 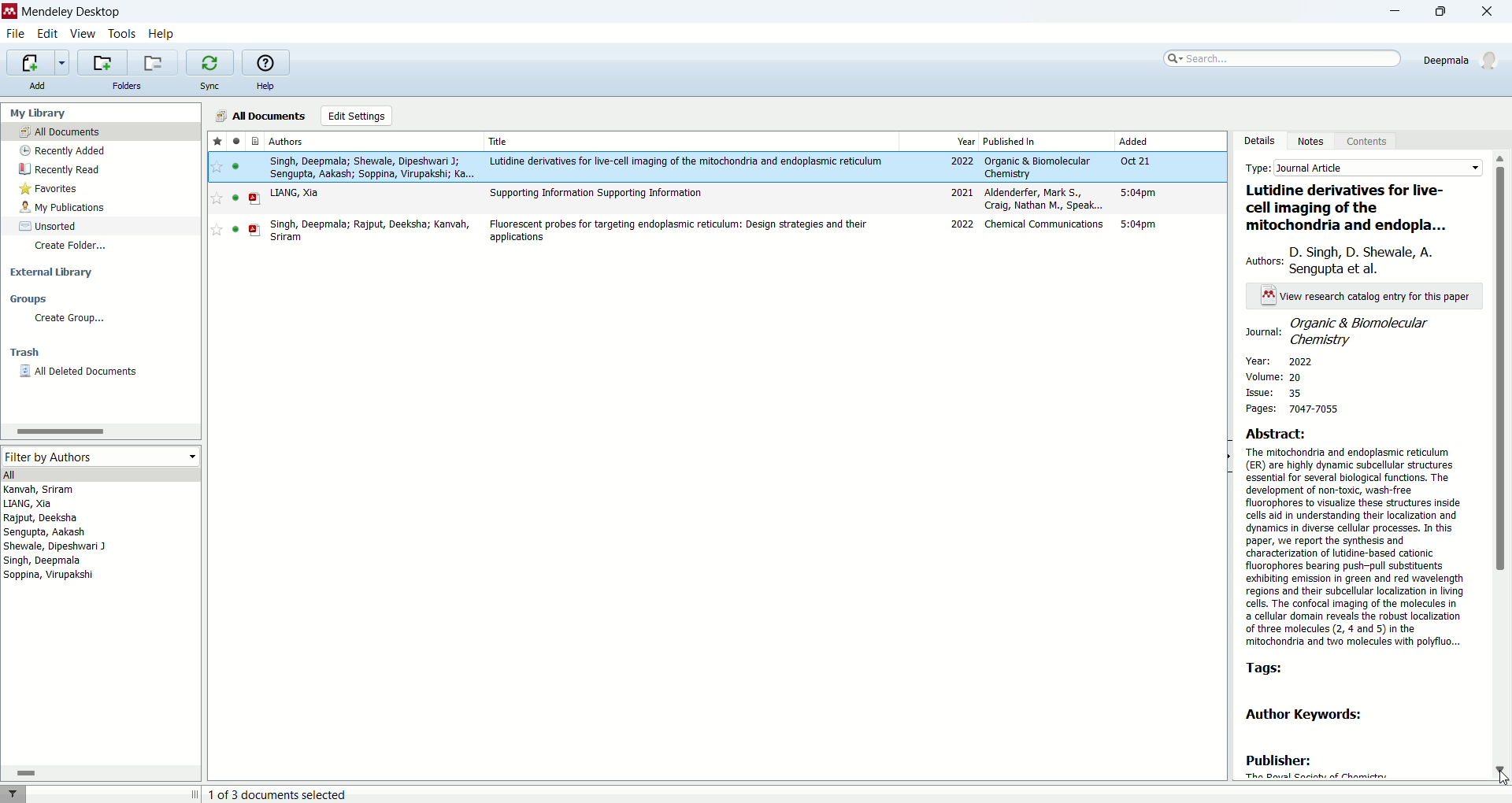 What do you see at coordinates (55, 546) in the screenshot?
I see `shewale, dipeshwari J` at bounding box center [55, 546].